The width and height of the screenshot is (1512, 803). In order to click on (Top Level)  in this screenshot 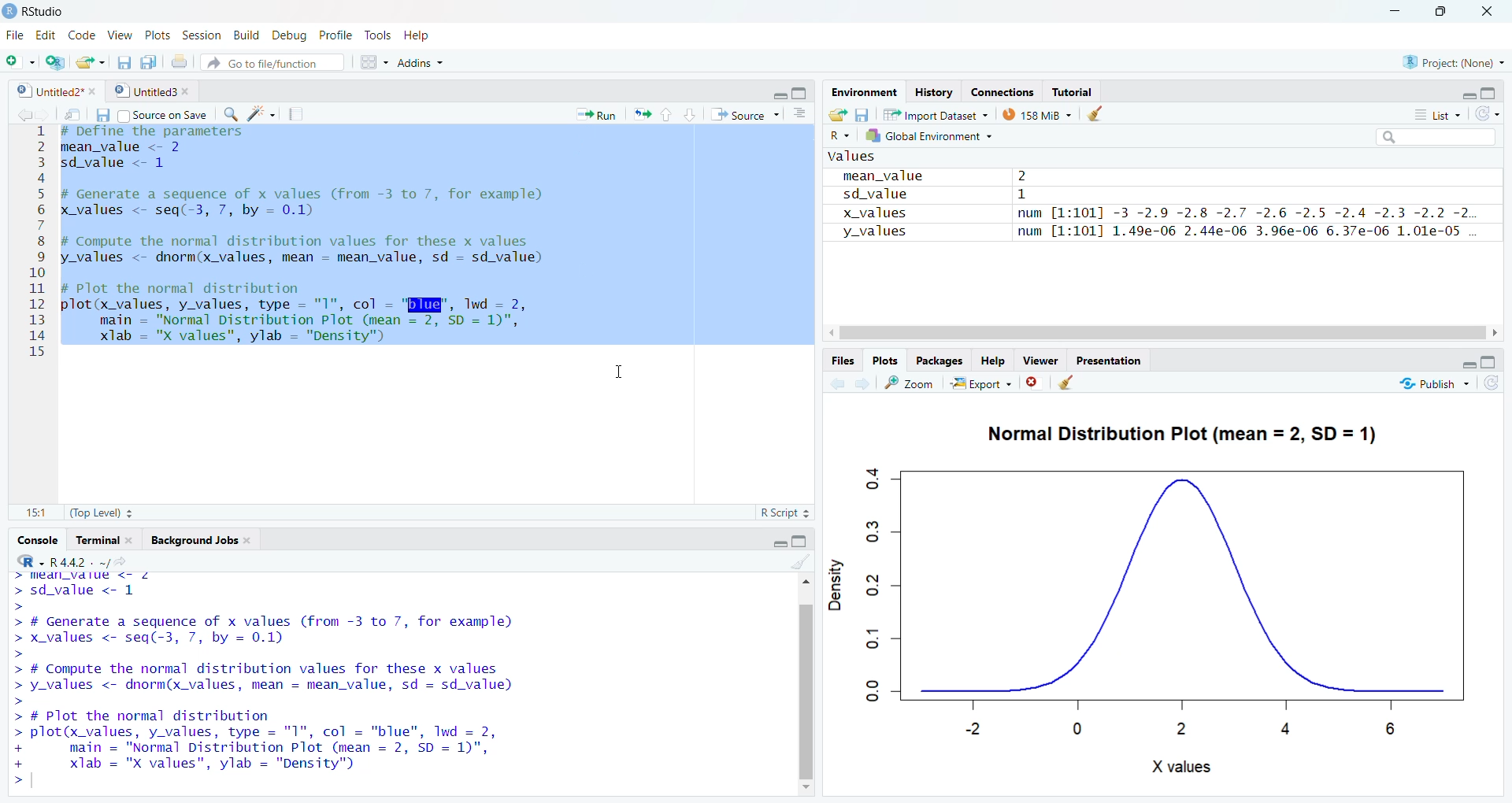, I will do `click(107, 512)`.